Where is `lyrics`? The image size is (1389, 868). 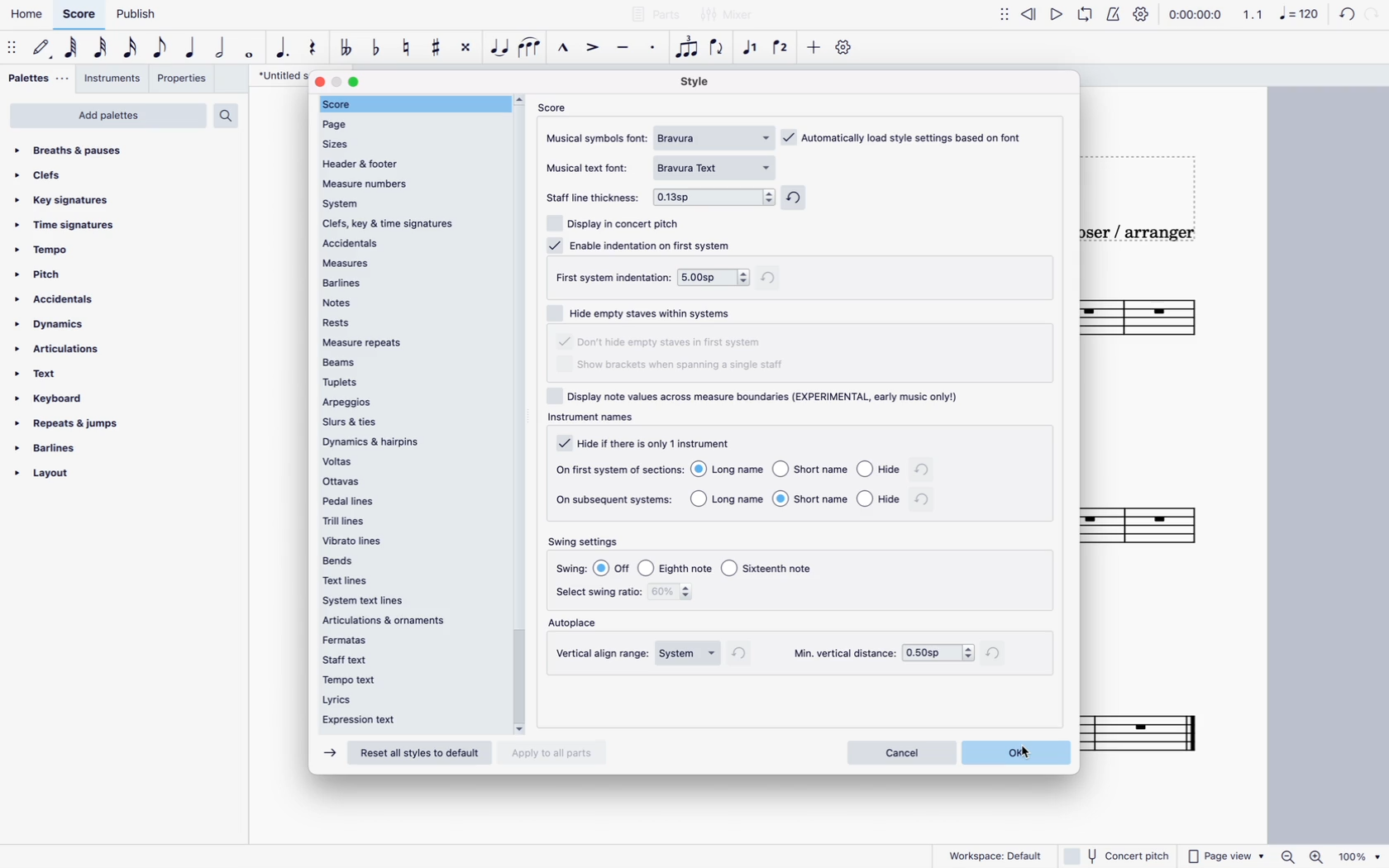
lyrics is located at coordinates (406, 701).